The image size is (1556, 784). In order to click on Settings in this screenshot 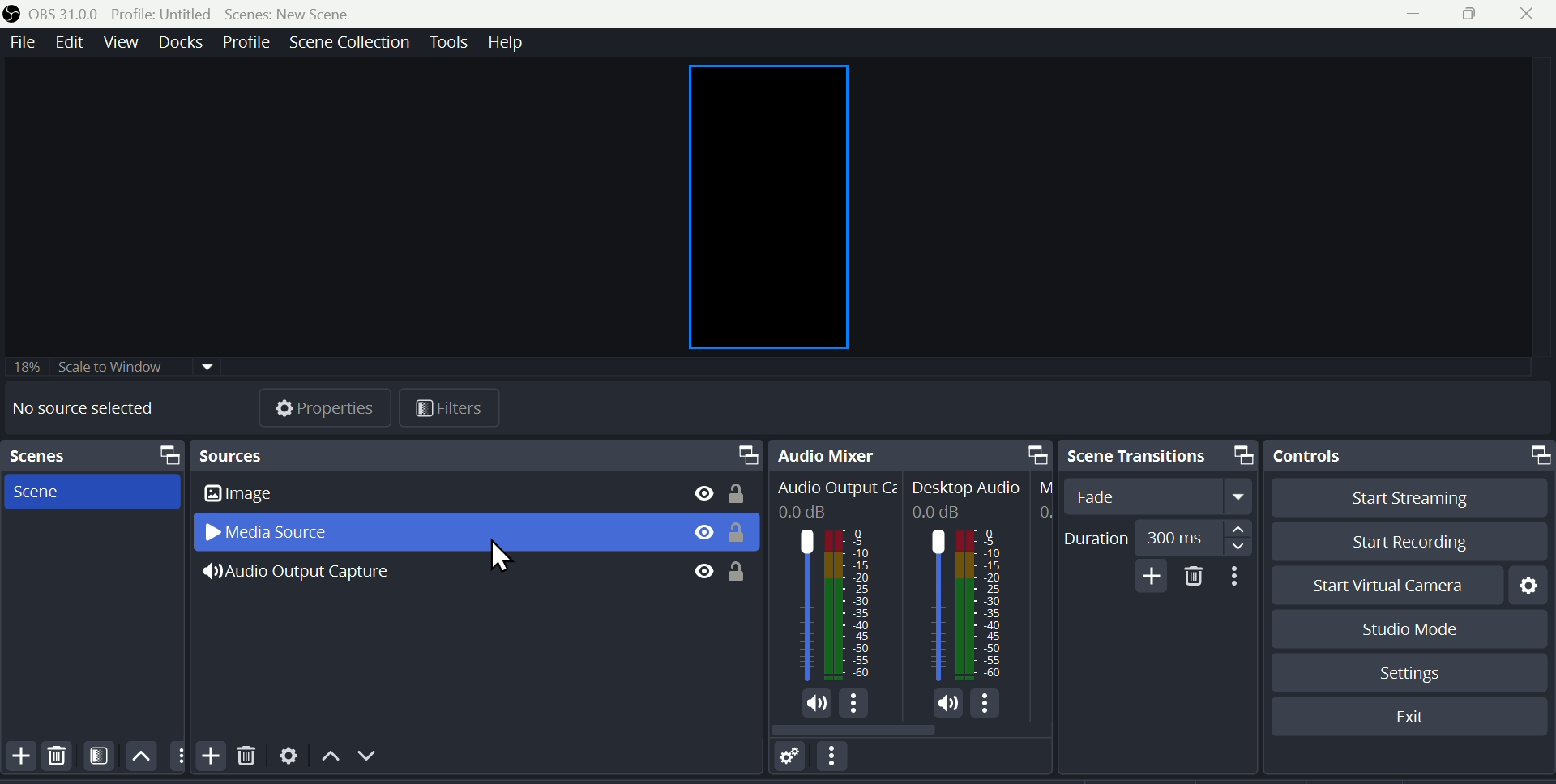, I will do `click(288, 760)`.